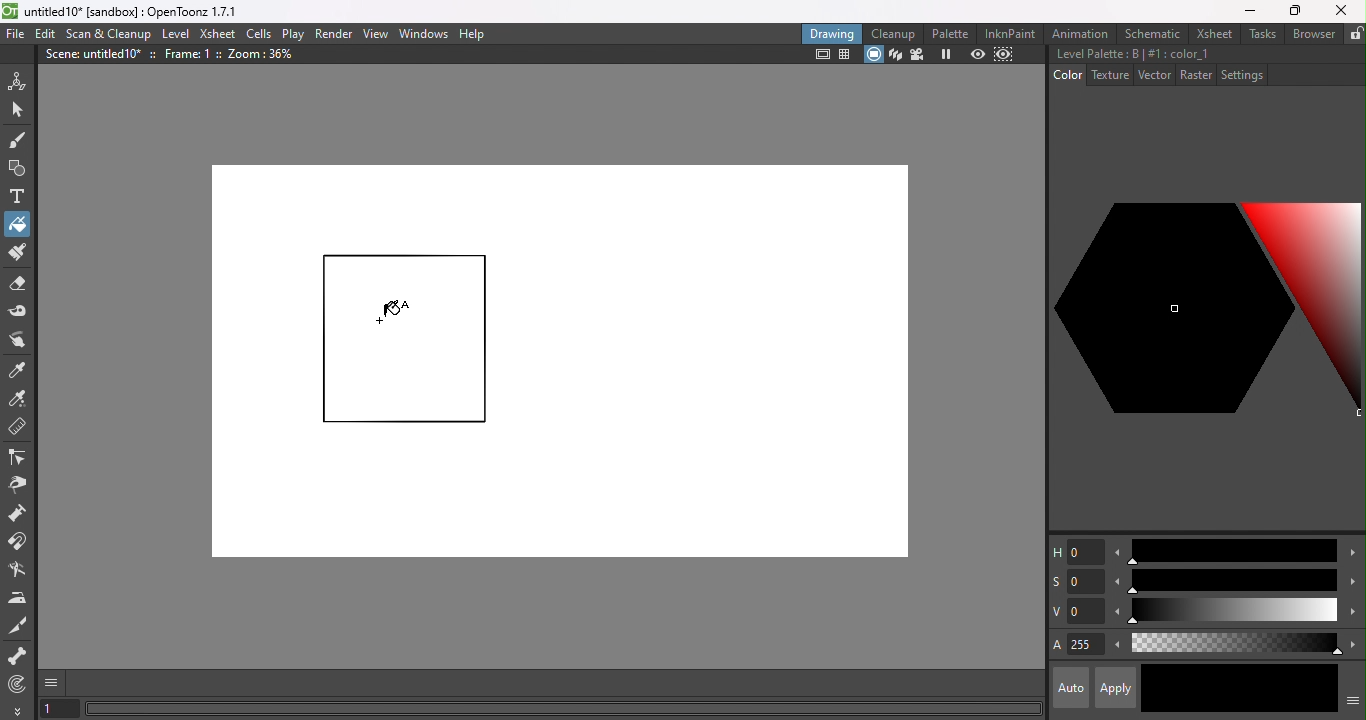 This screenshot has width=1366, height=720. I want to click on Show or hide parts of the color page, so click(1353, 698).